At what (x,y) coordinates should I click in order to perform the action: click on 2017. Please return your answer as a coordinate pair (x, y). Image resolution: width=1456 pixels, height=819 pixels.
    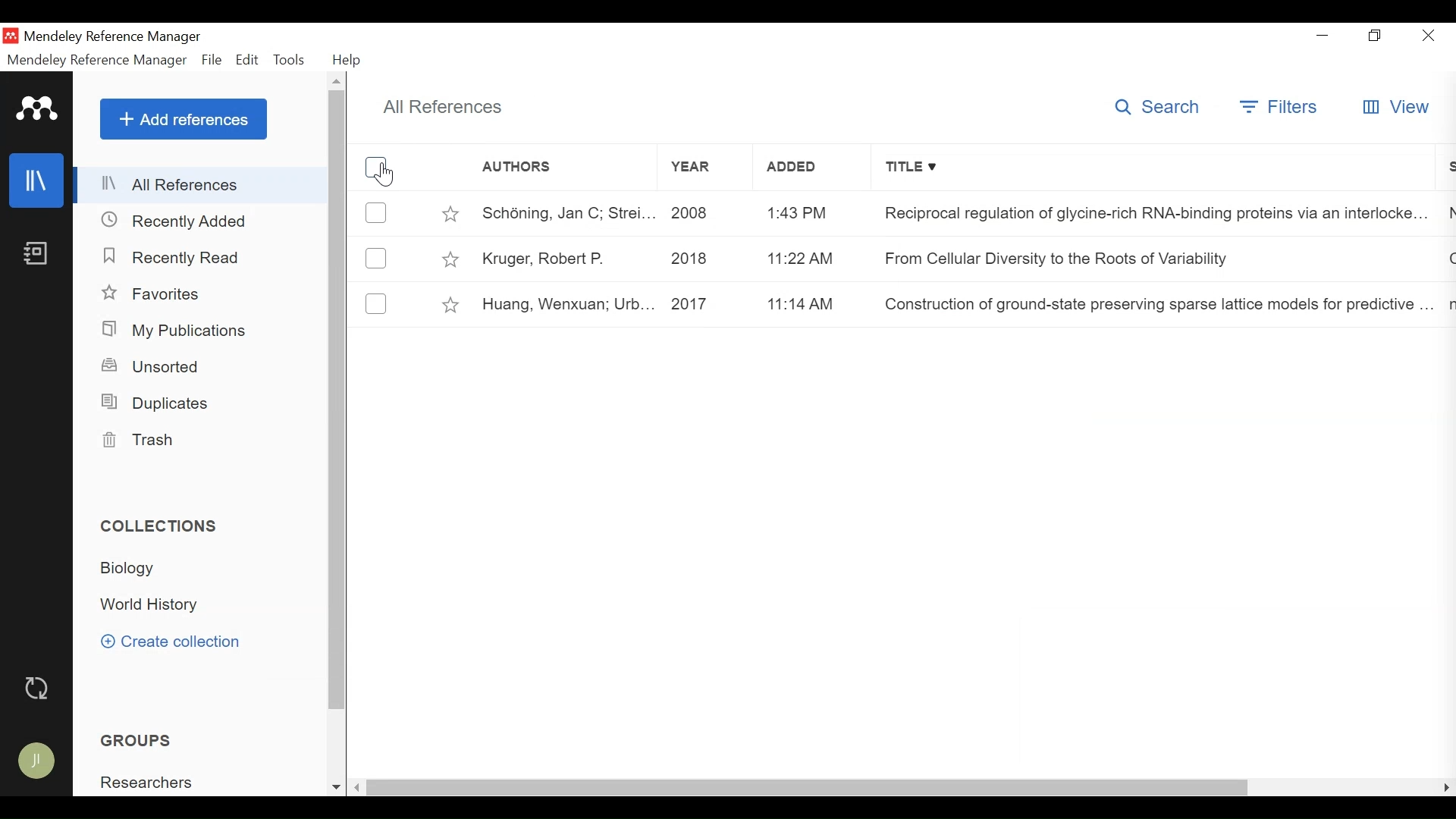
    Looking at the image, I should click on (704, 303).